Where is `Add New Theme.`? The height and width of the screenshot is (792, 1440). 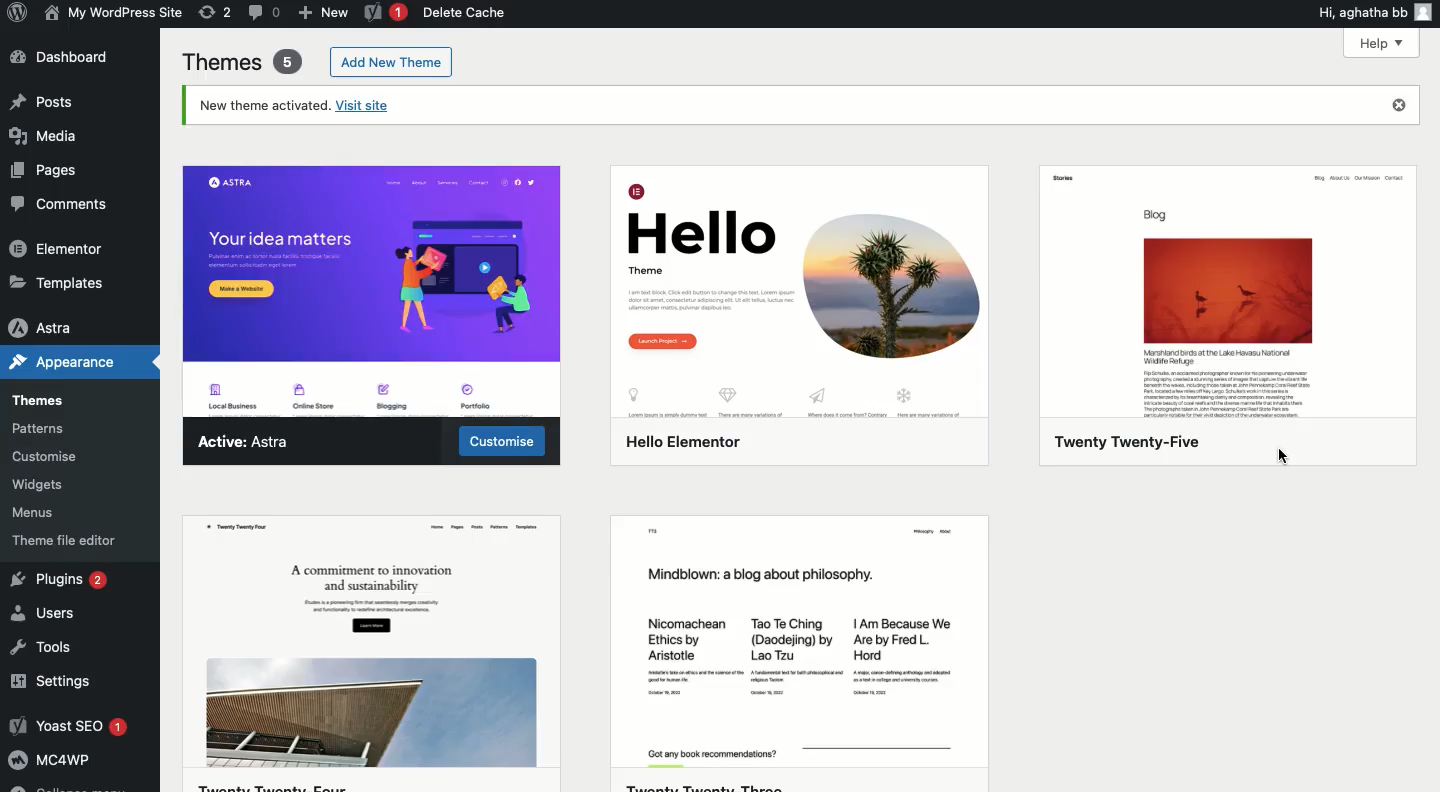 Add New Theme. is located at coordinates (391, 60).